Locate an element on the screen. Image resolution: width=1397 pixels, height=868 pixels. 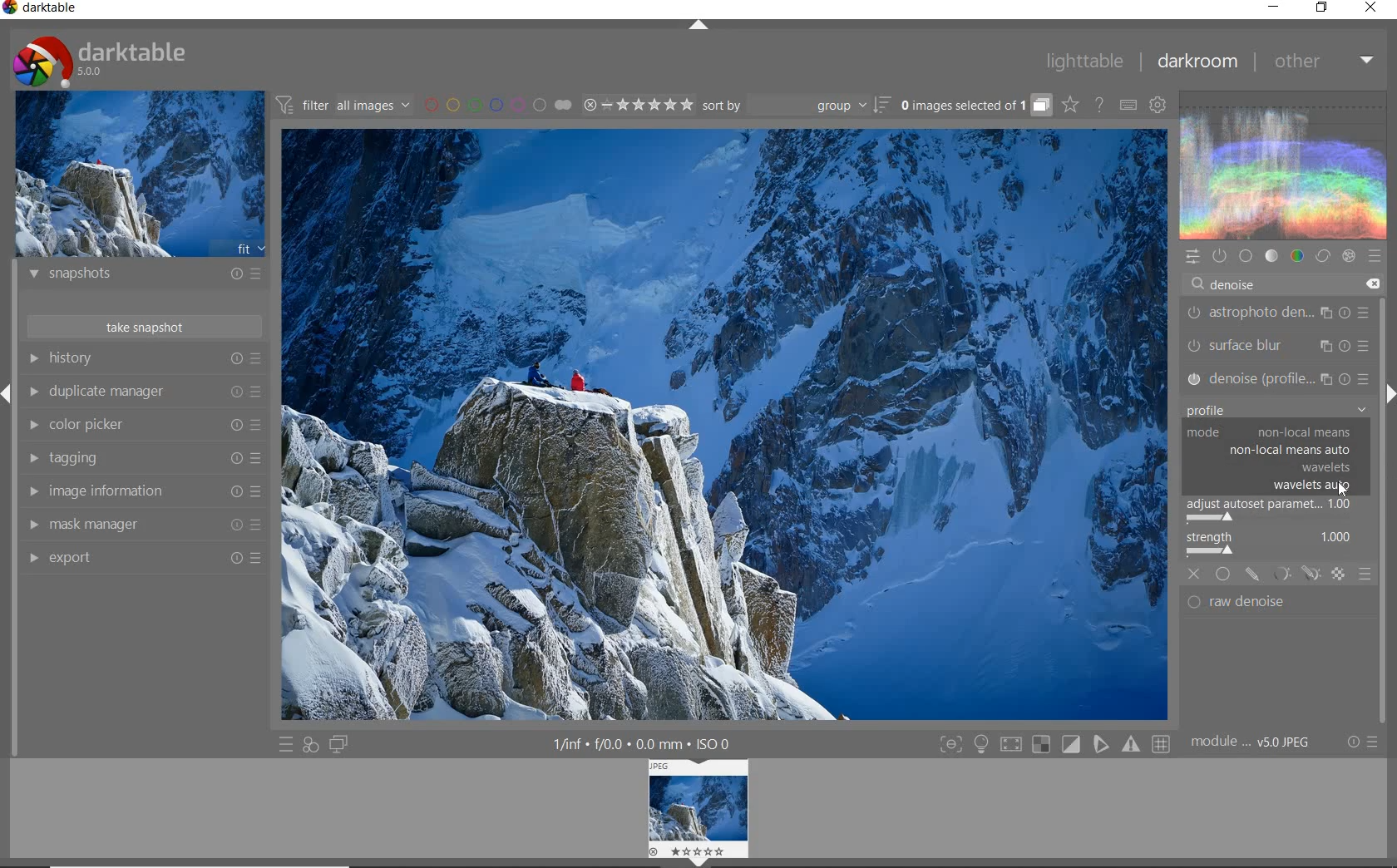
color is located at coordinates (1298, 255).